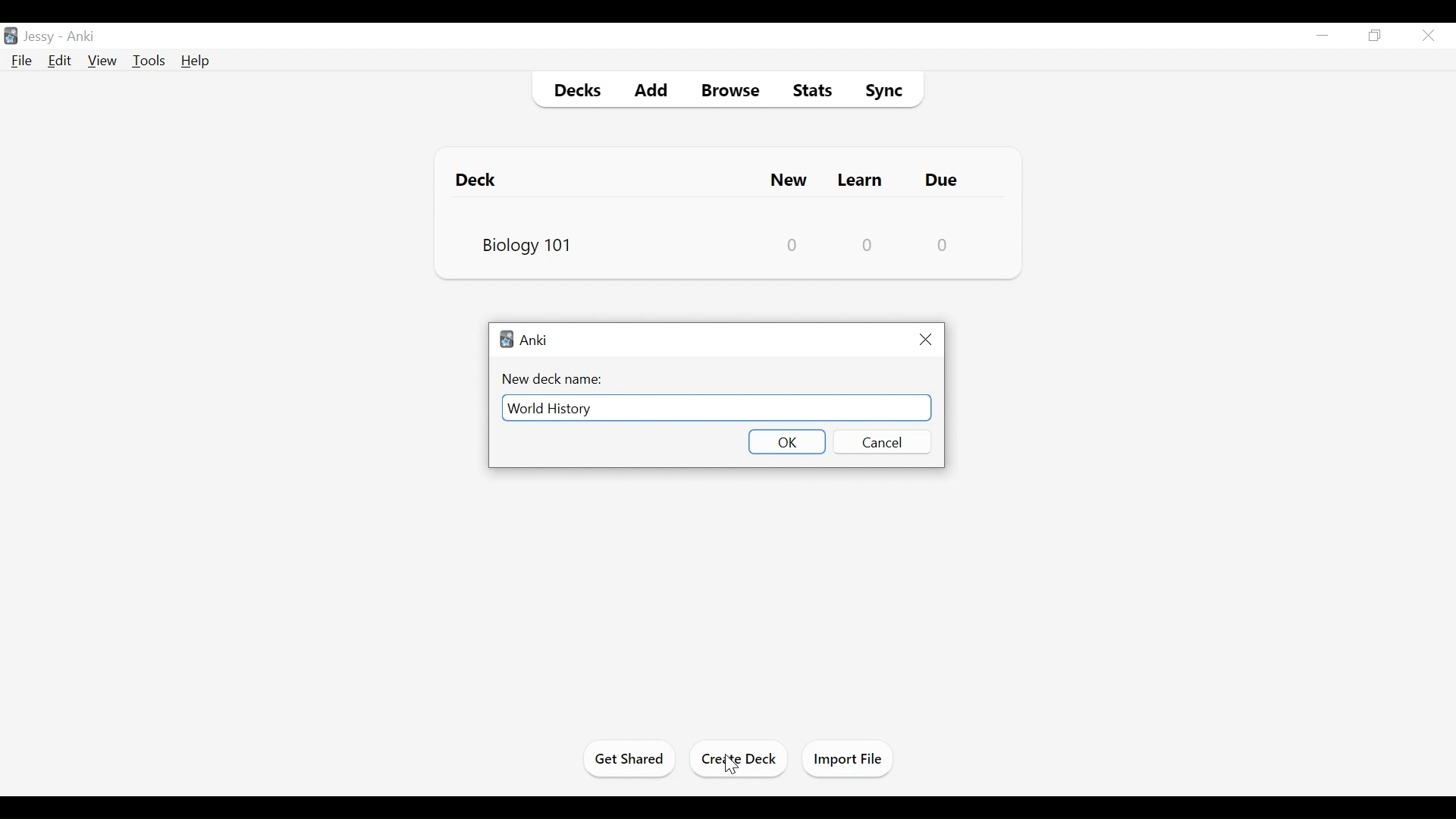  Describe the element at coordinates (526, 243) in the screenshot. I see `Biology 101` at that location.